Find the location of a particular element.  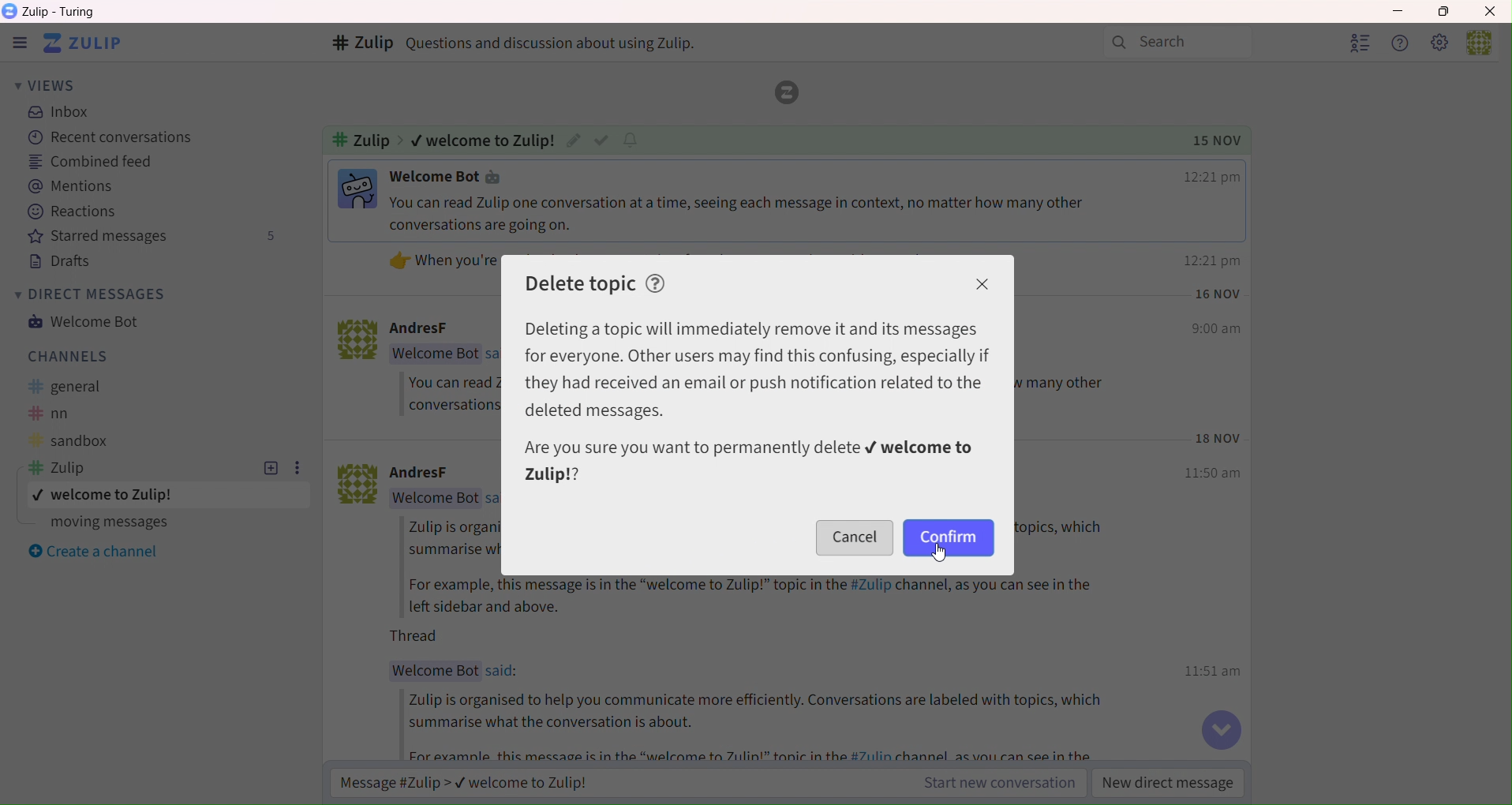

Drafts is located at coordinates (51, 260).